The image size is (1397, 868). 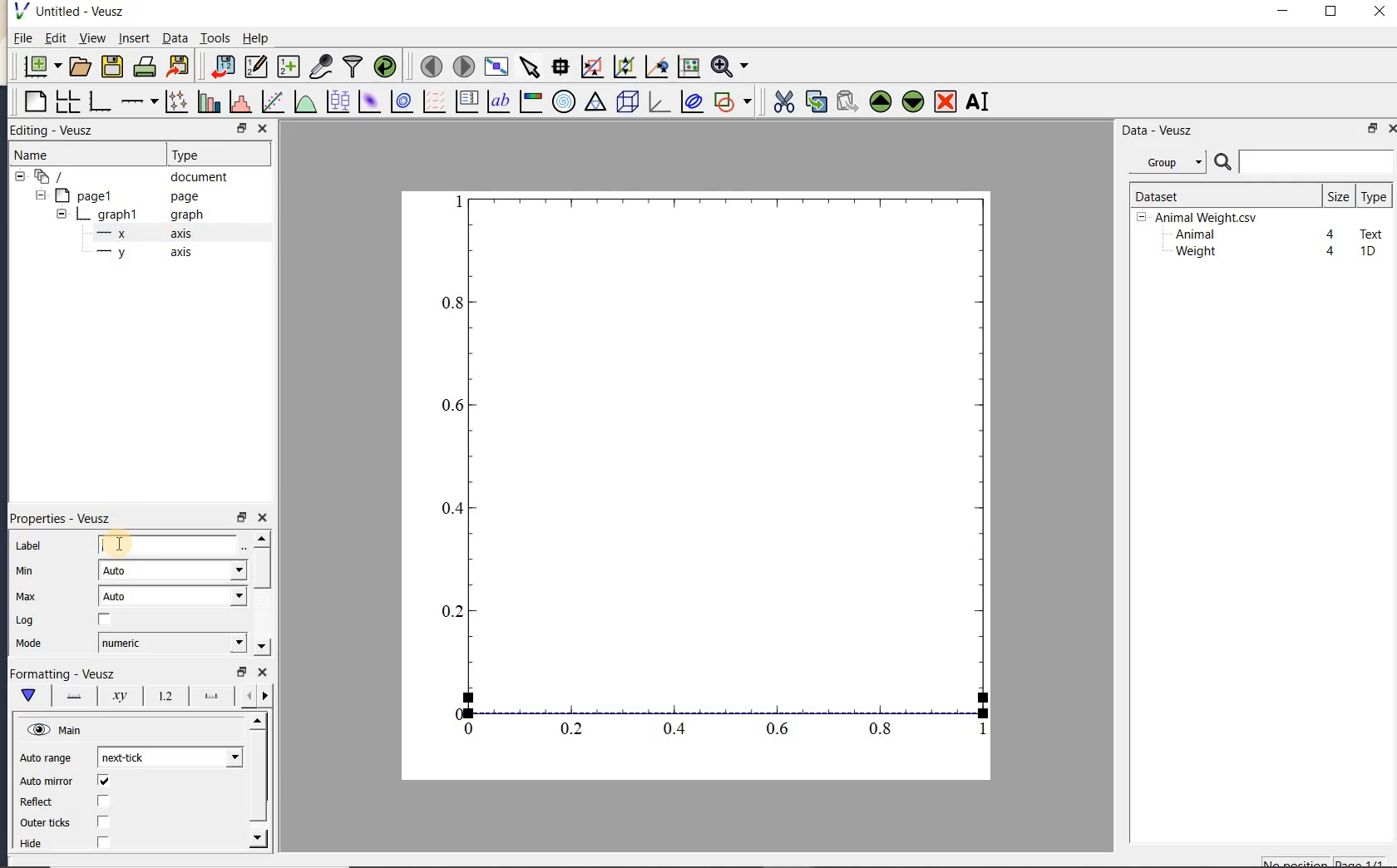 I want to click on Auto range, so click(x=46, y=758).